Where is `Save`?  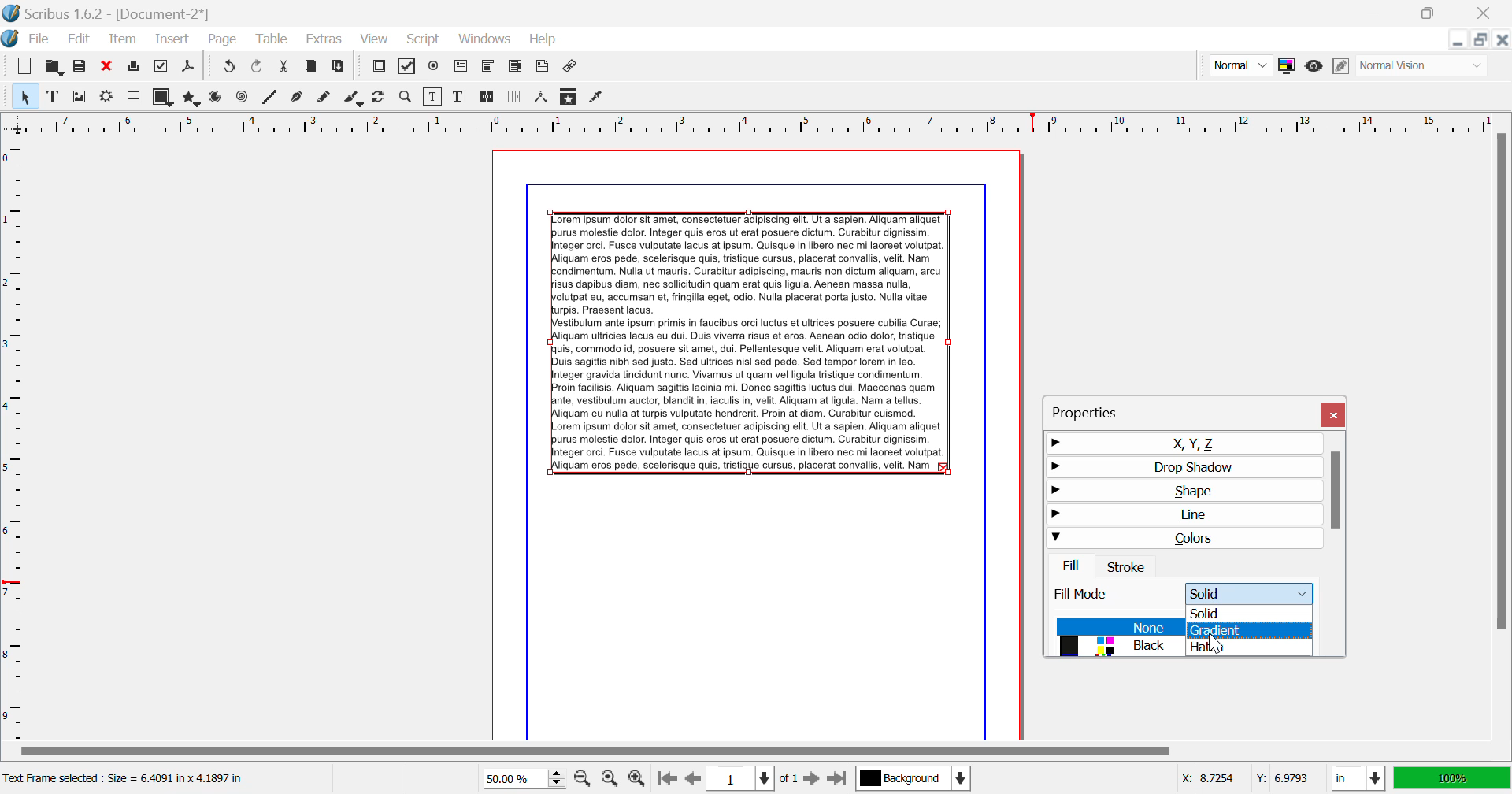 Save is located at coordinates (80, 66).